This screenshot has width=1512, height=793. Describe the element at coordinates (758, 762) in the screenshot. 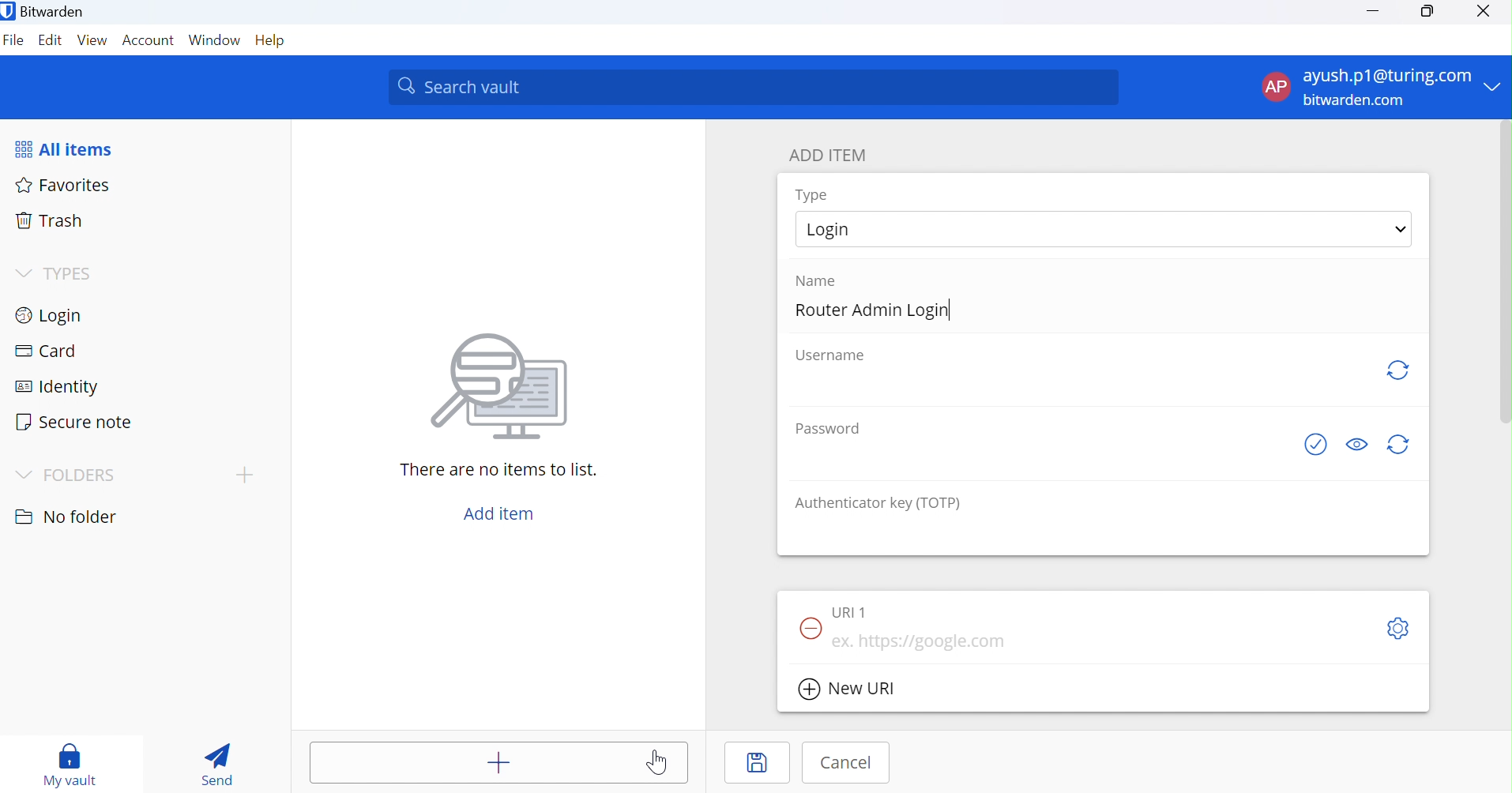

I see `Save` at that location.